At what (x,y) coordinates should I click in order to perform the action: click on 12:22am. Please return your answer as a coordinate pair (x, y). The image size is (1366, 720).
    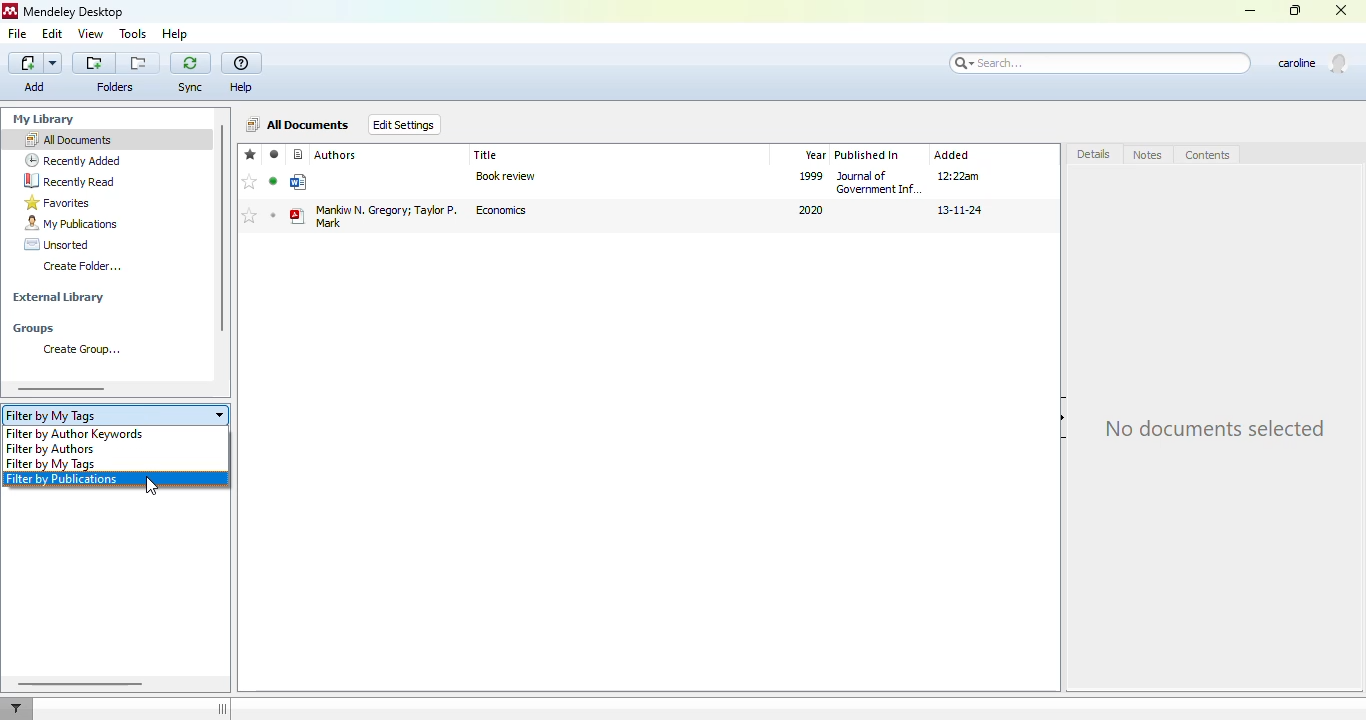
    Looking at the image, I should click on (960, 175).